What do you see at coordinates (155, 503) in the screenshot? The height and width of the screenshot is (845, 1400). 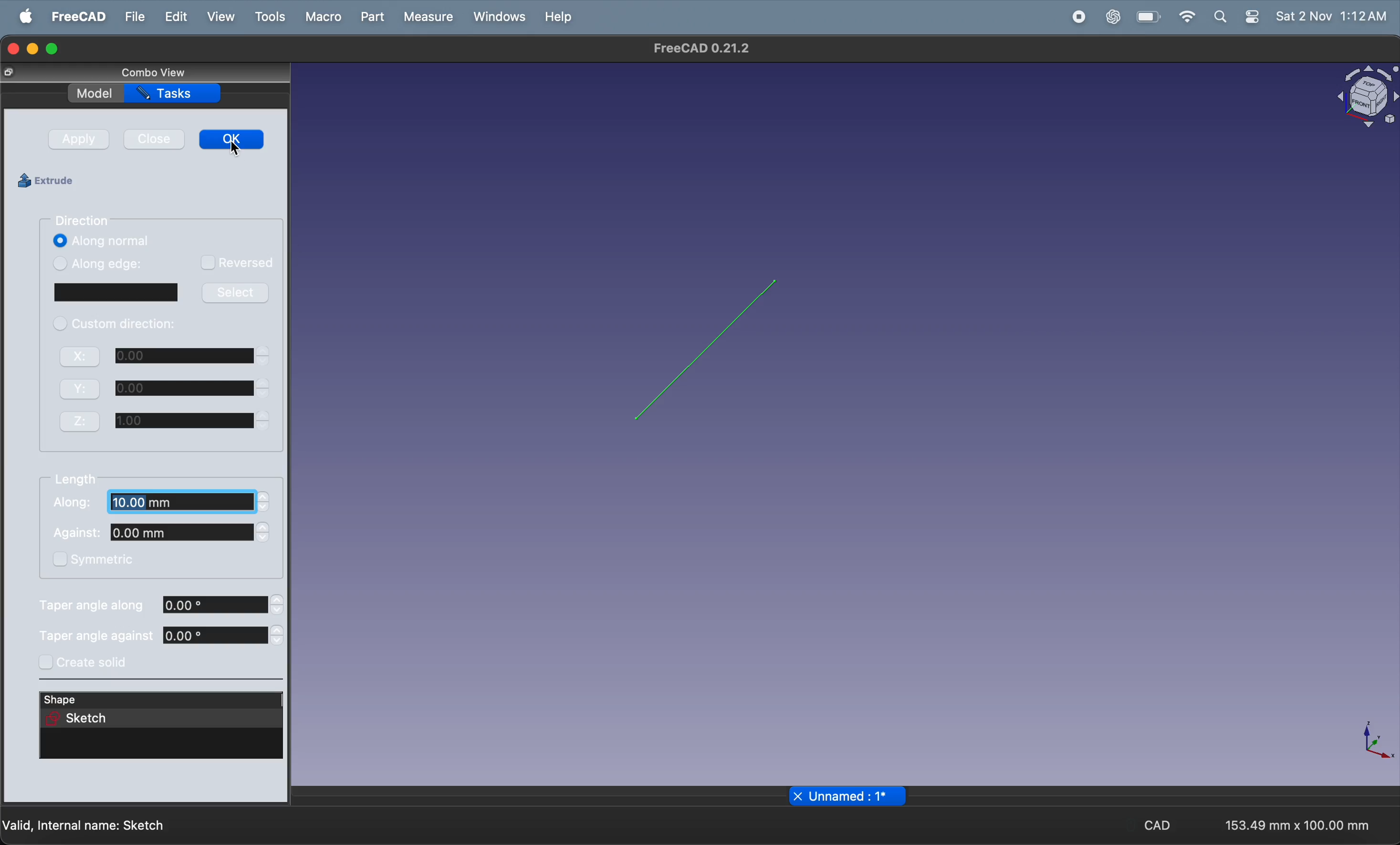 I see `Along. 10.00 mm` at bounding box center [155, 503].